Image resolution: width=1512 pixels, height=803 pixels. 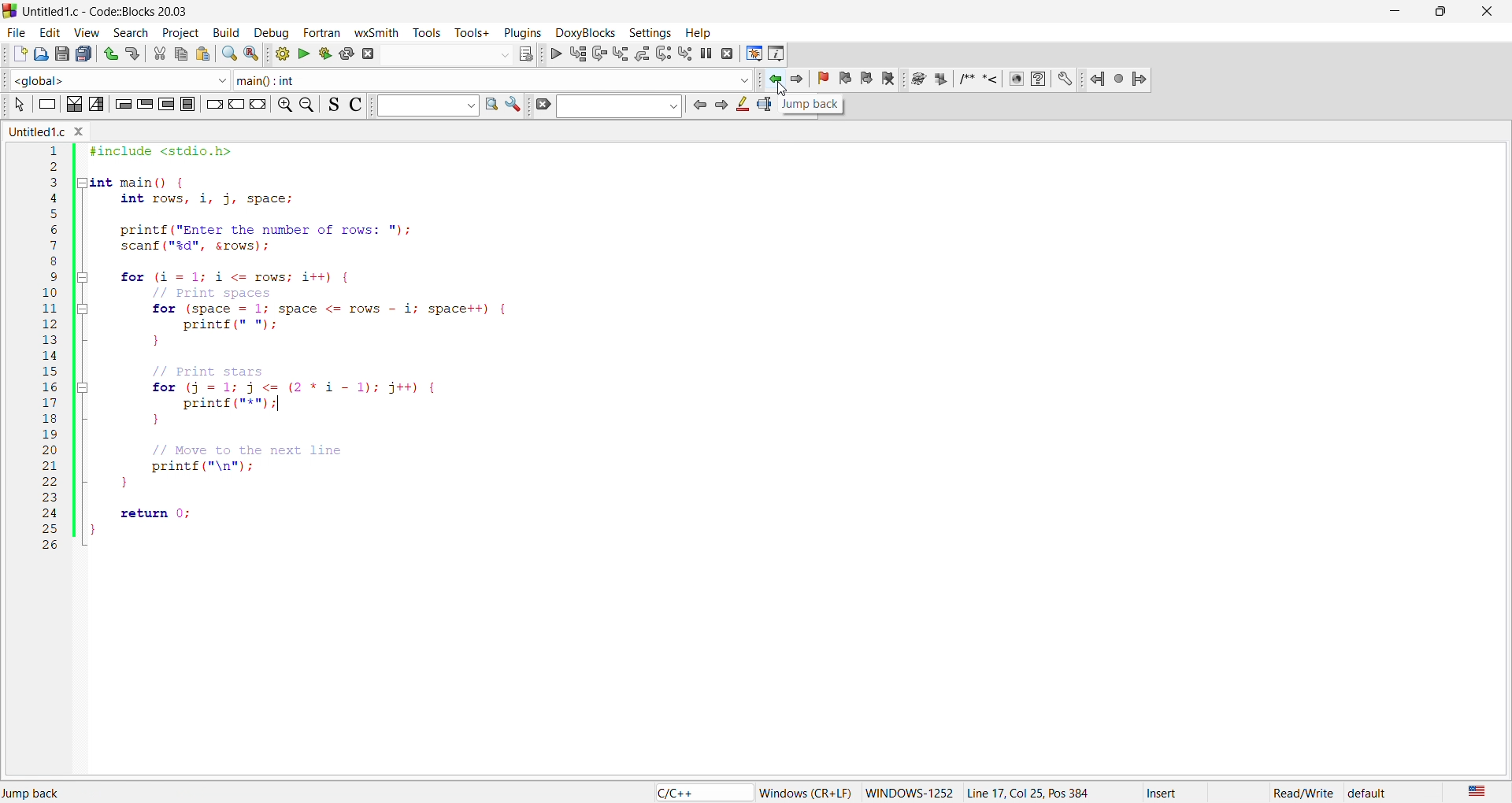 What do you see at coordinates (809, 790) in the screenshot?
I see `‘Windows (CR+LF) ` at bounding box center [809, 790].